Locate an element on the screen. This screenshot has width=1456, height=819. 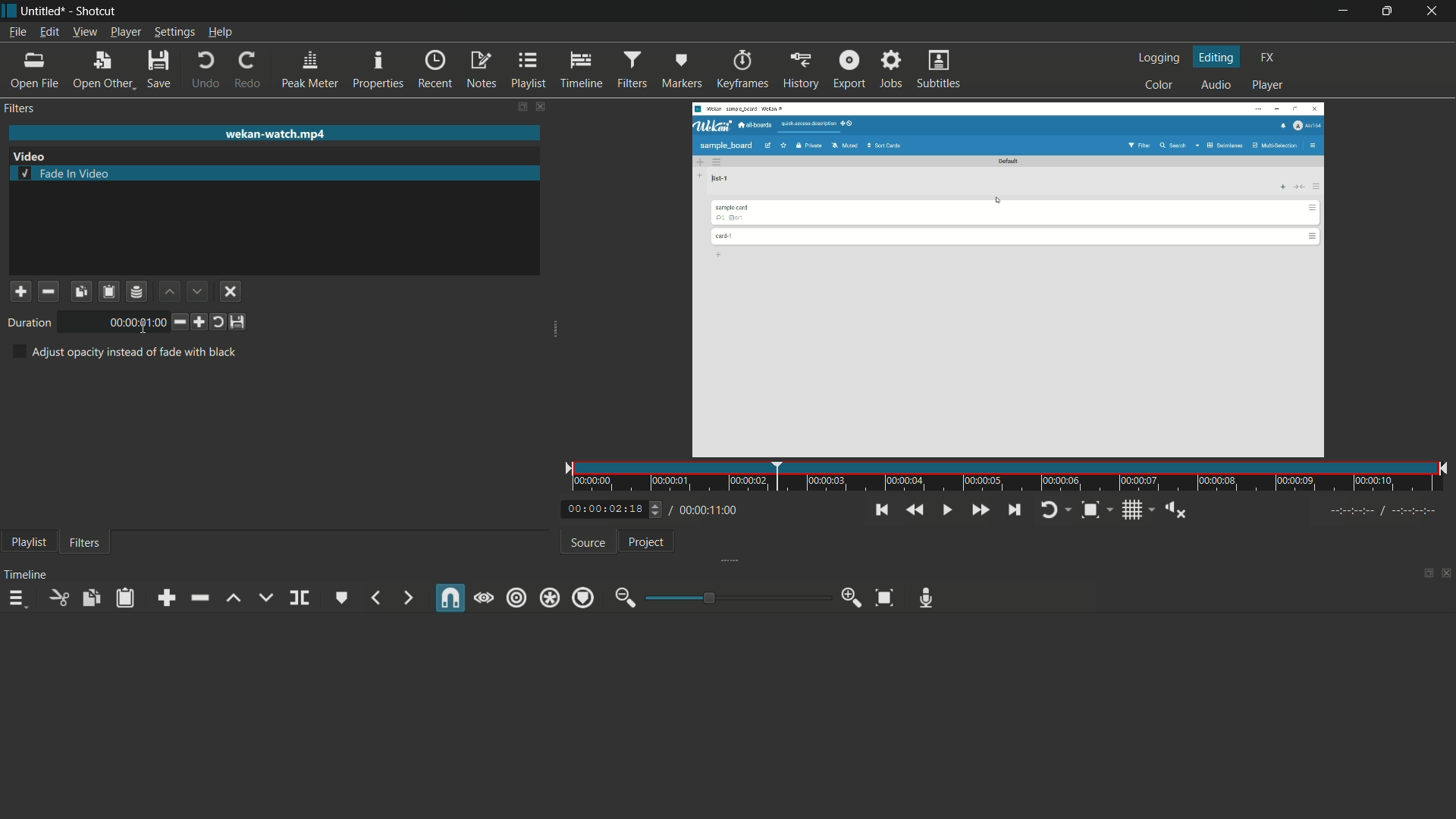
ripple markers is located at coordinates (584, 597).